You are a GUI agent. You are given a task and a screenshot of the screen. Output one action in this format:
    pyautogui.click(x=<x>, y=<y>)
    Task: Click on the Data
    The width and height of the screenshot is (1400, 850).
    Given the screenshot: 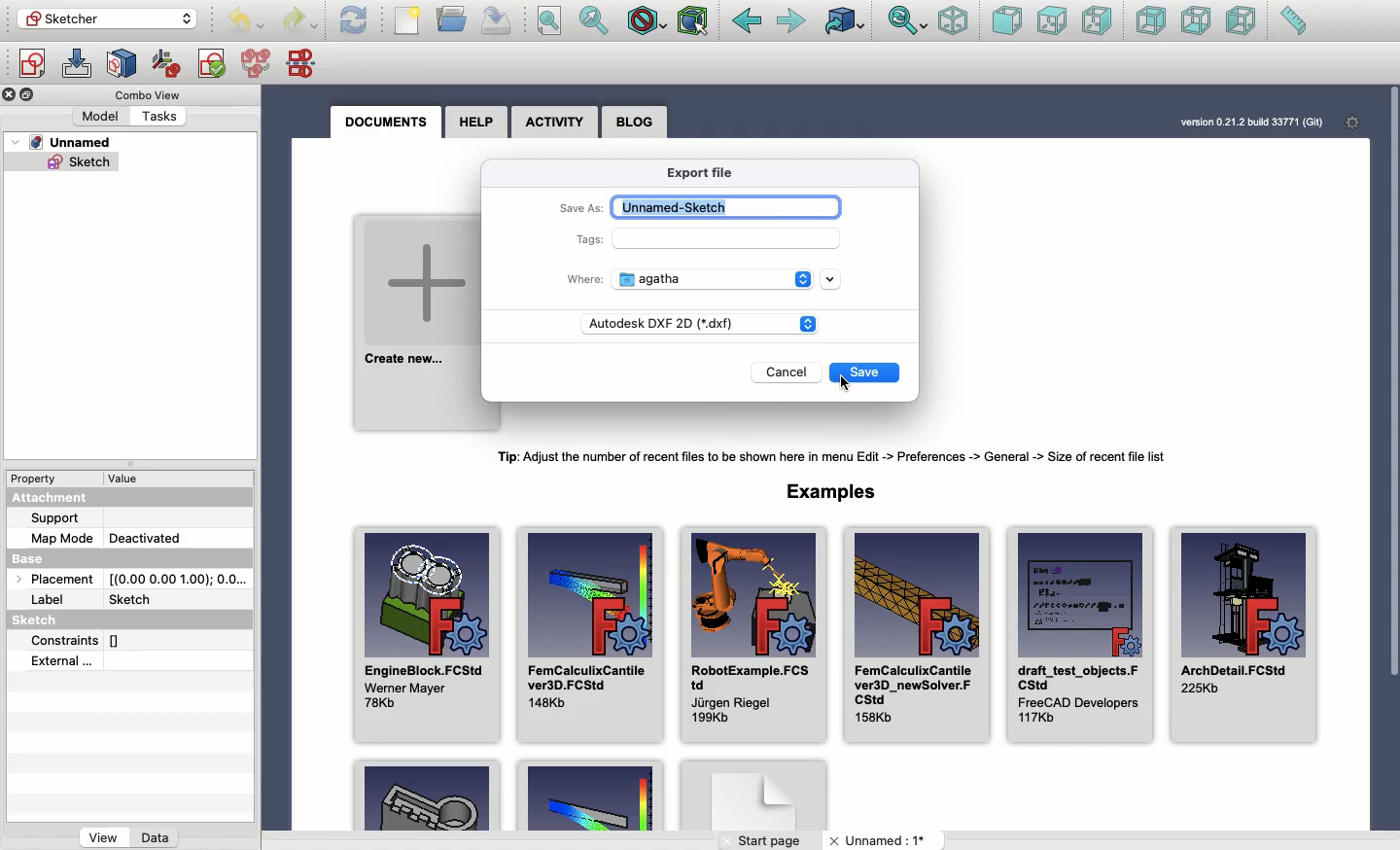 What is the action you would take?
    pyautogui.click(x=156, y=835)
    